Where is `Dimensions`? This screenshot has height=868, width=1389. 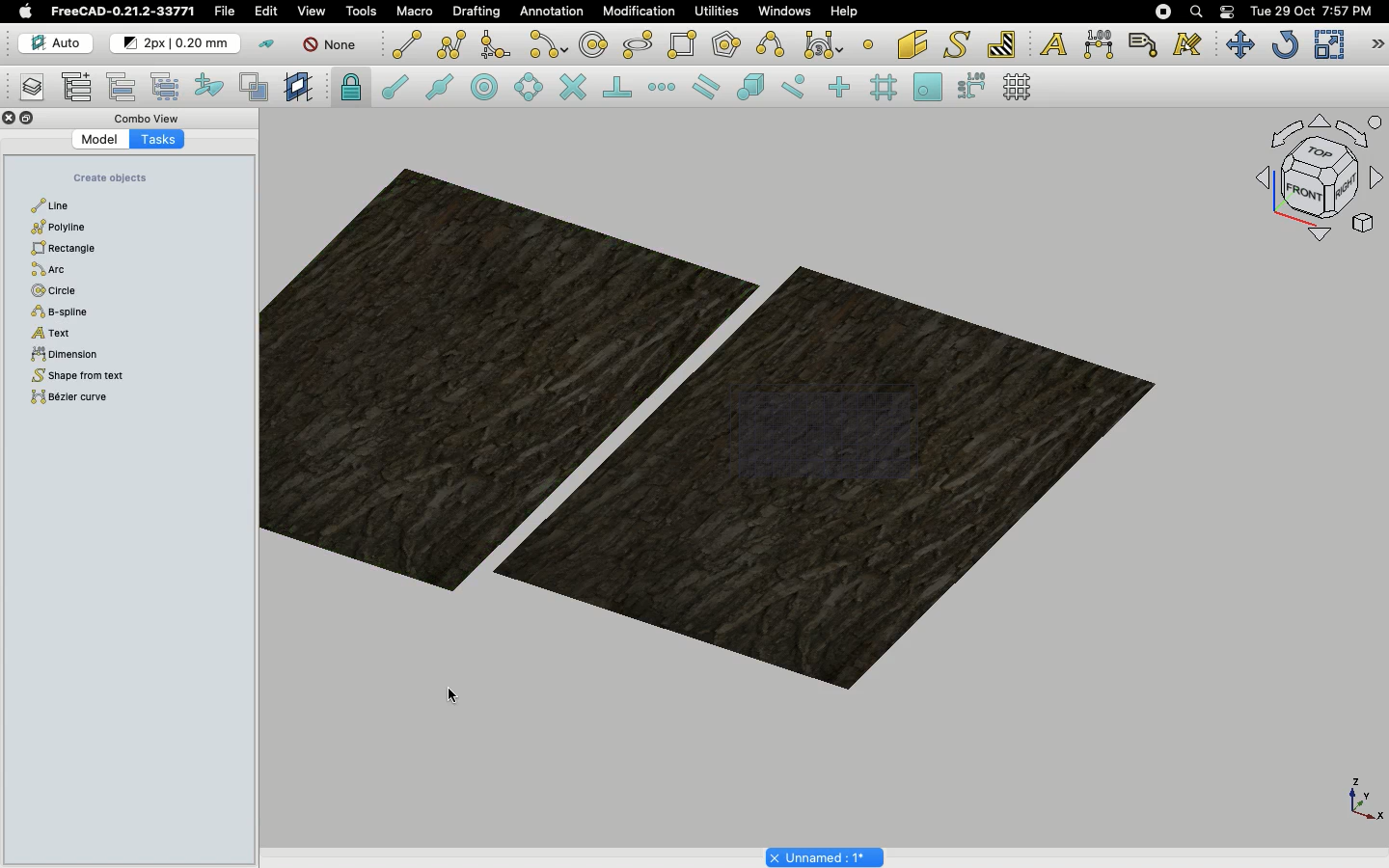 Dimensions is located at coordinates (98, 357).